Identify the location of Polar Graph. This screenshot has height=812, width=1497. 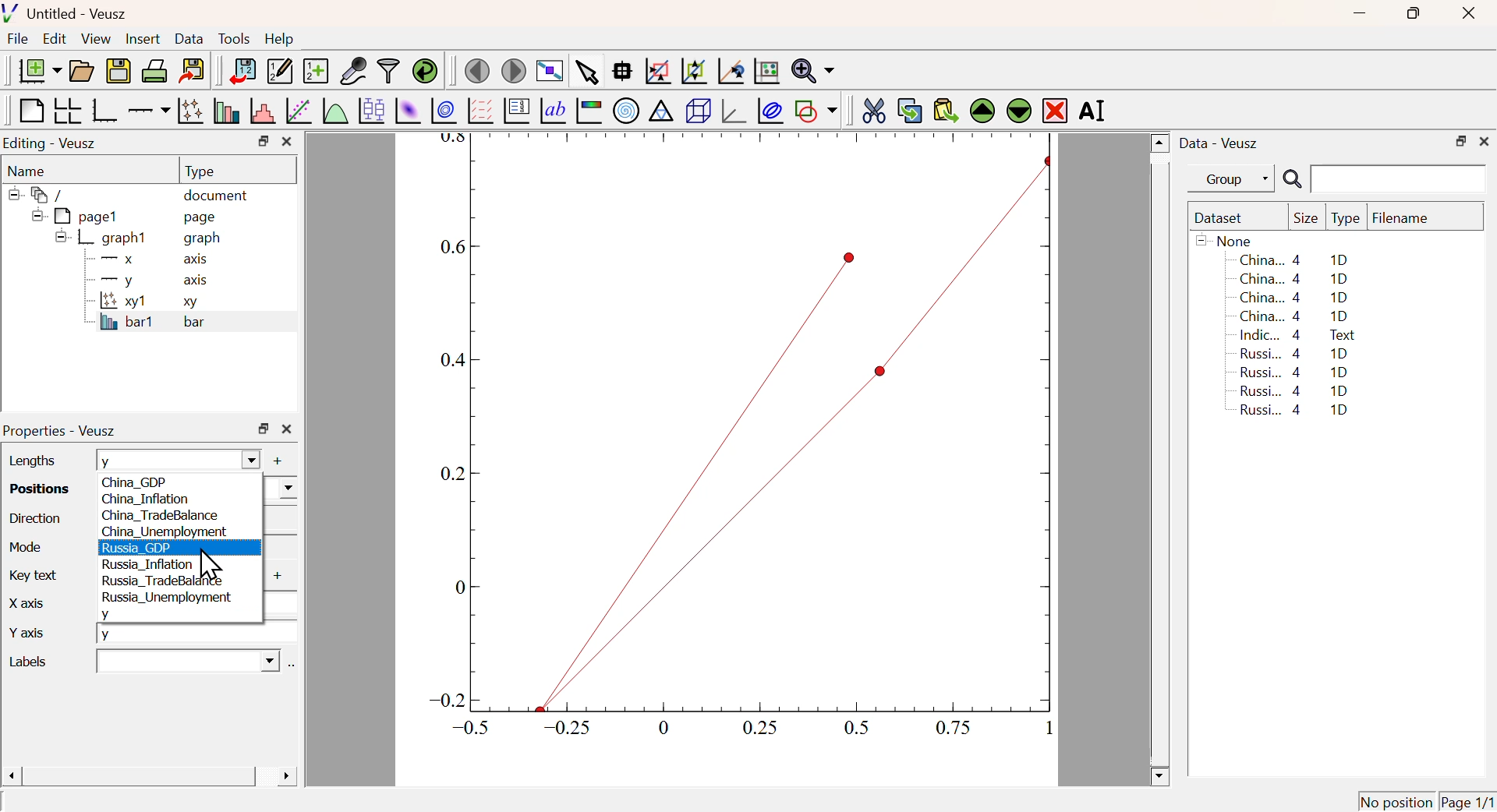
(627, 110).